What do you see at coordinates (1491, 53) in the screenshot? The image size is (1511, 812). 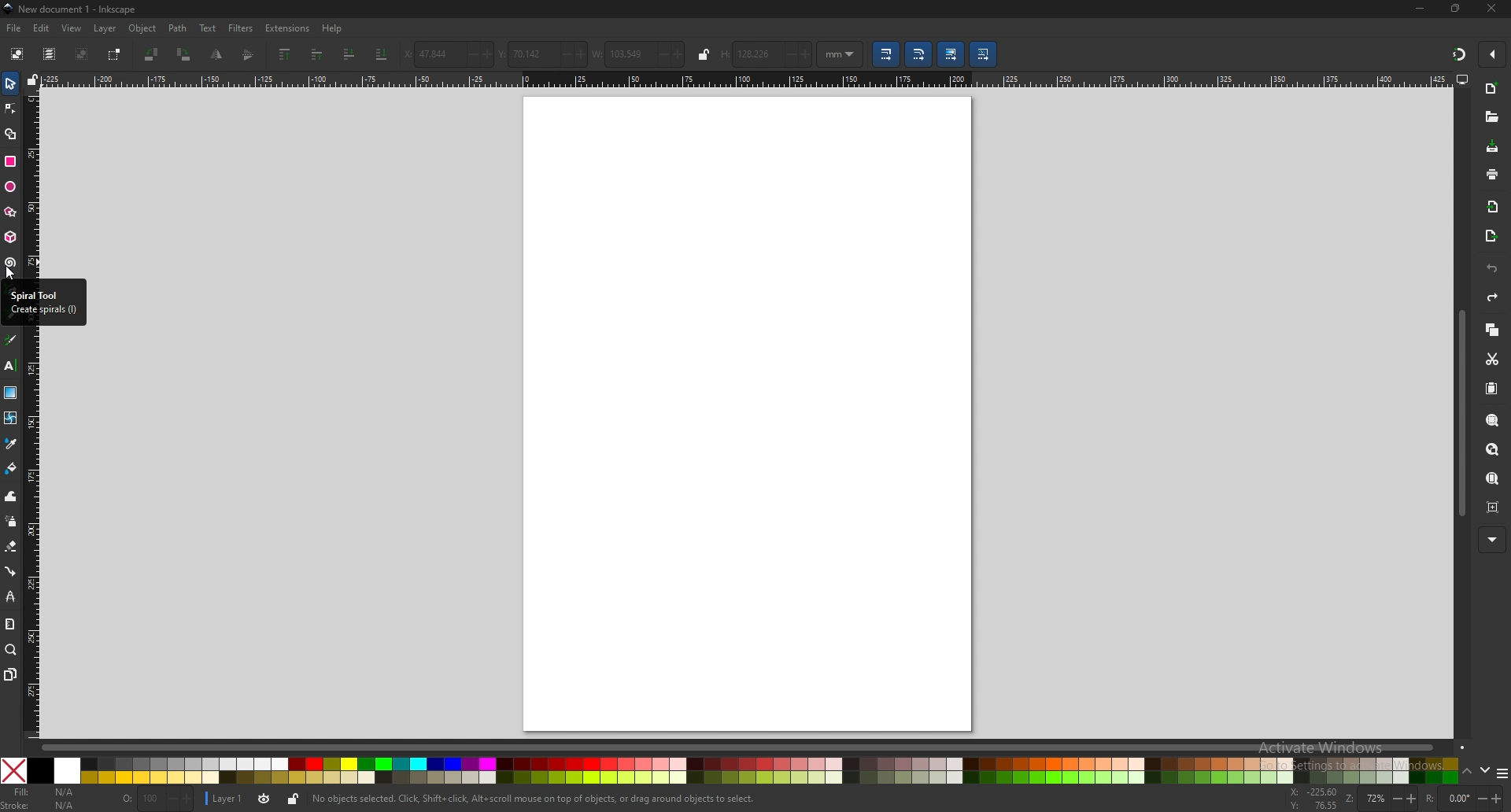 I see `enable snapping` at bounding box center [1491, 53].